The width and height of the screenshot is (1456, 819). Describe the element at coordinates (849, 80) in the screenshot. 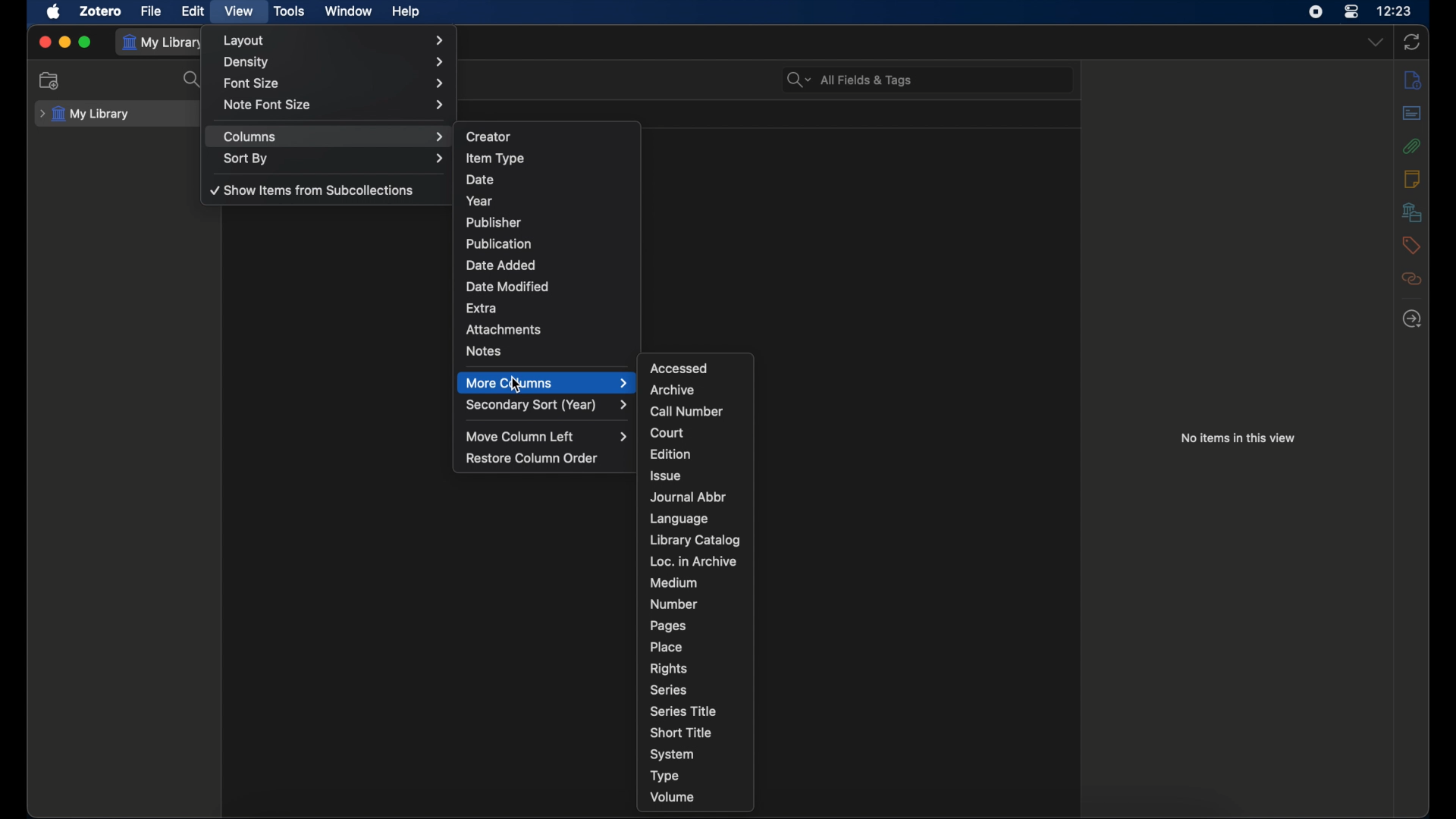

I see `search bar` at that location.